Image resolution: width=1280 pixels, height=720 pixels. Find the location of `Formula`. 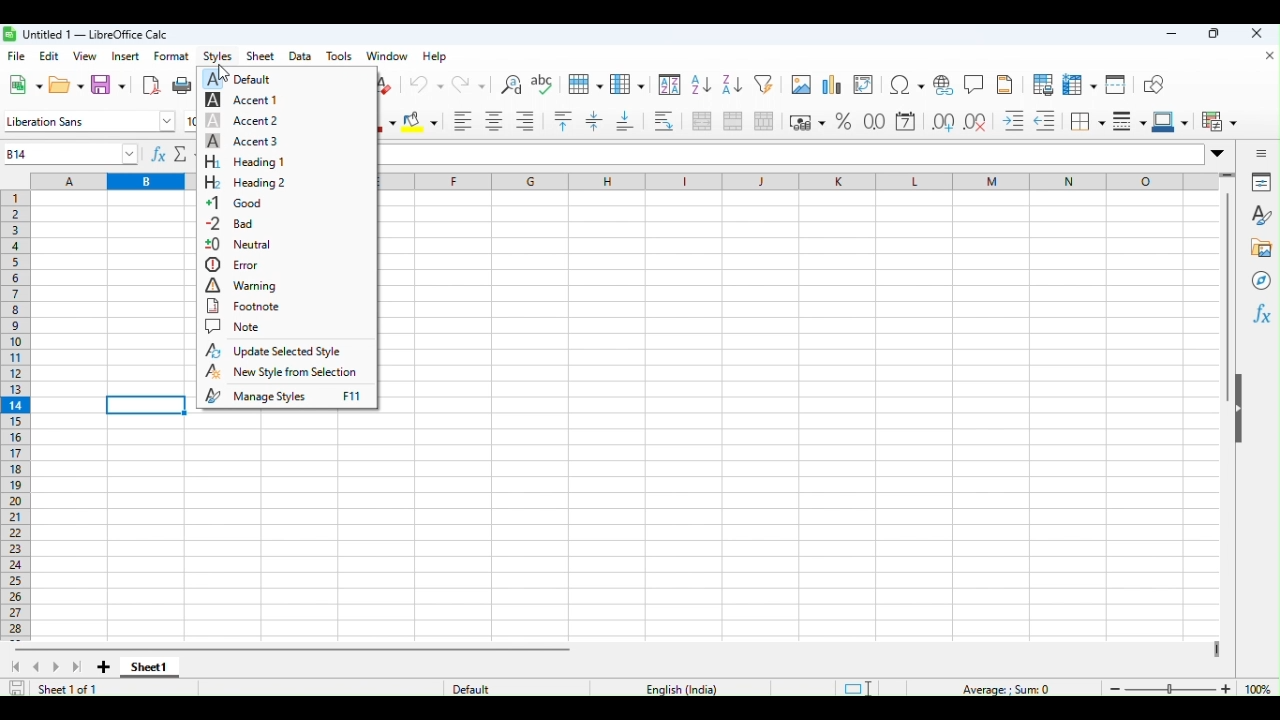

Formula is located at coordinates (170, 153).